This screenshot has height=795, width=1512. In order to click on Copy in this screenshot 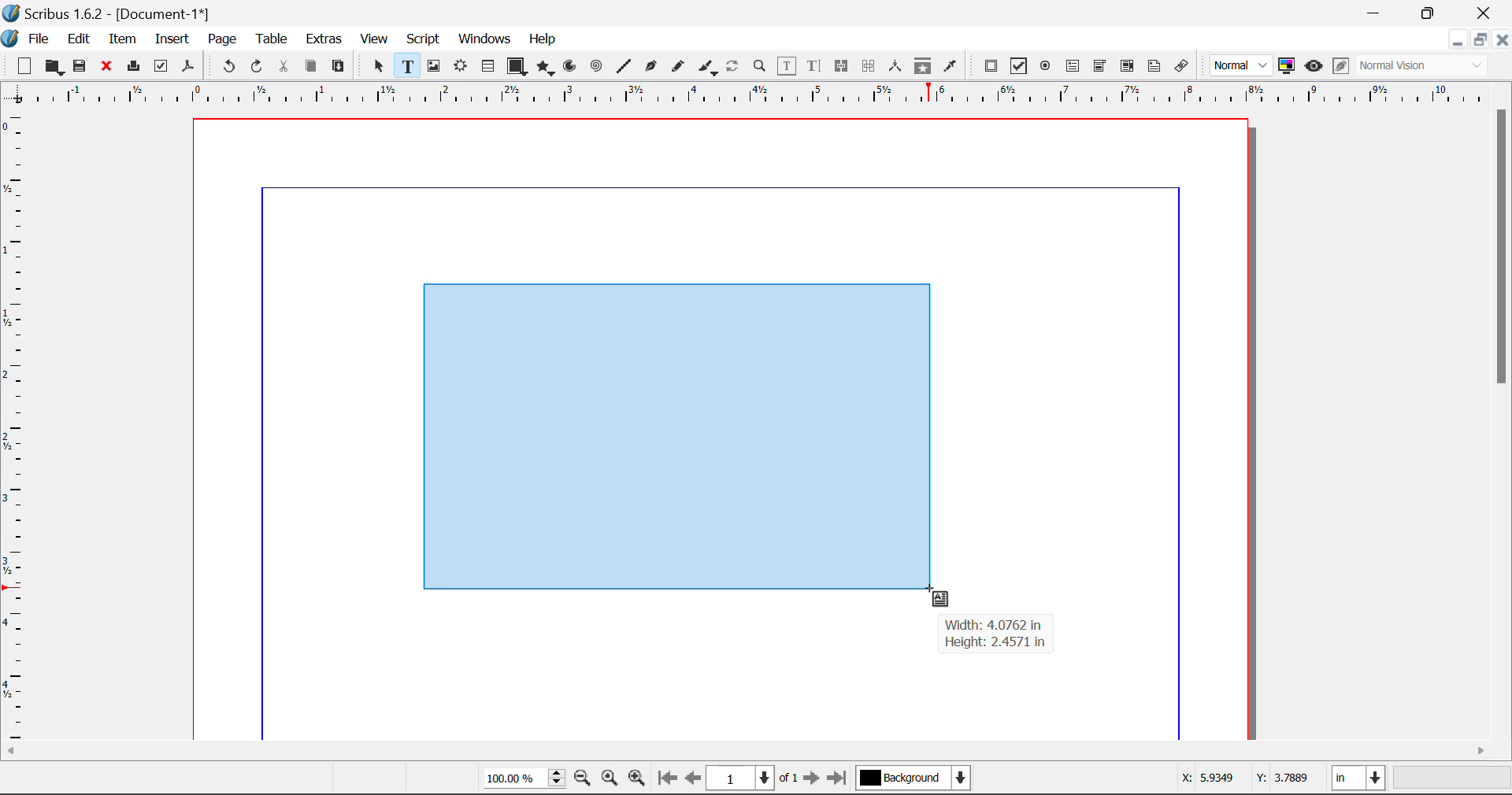, I will do `click(310, 66)`.